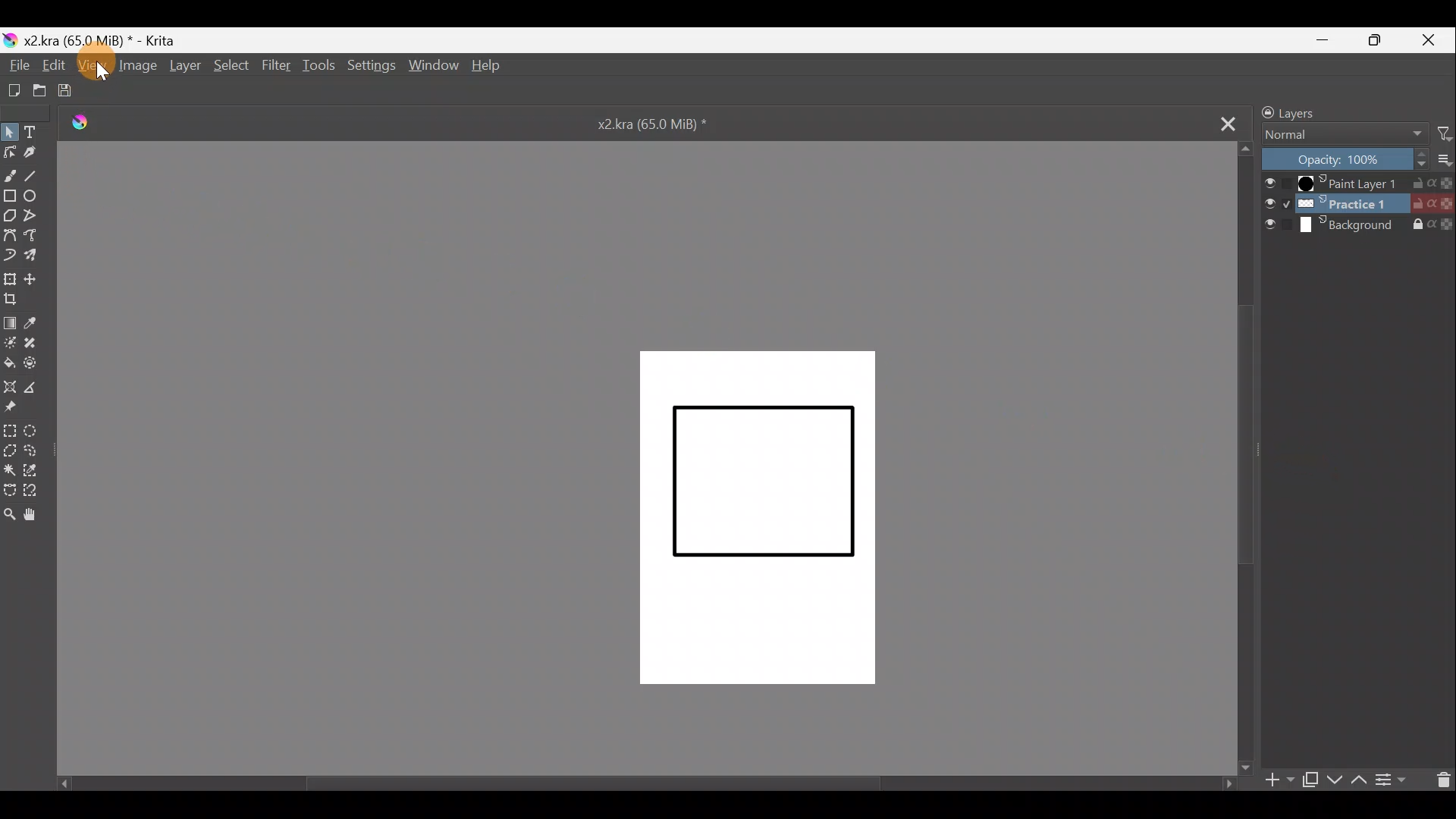 The width and height of the screenshot is (1456, 819). Describe the element at coordinates (36, 516) in the screenshot. I see `Pan tool` at that location.